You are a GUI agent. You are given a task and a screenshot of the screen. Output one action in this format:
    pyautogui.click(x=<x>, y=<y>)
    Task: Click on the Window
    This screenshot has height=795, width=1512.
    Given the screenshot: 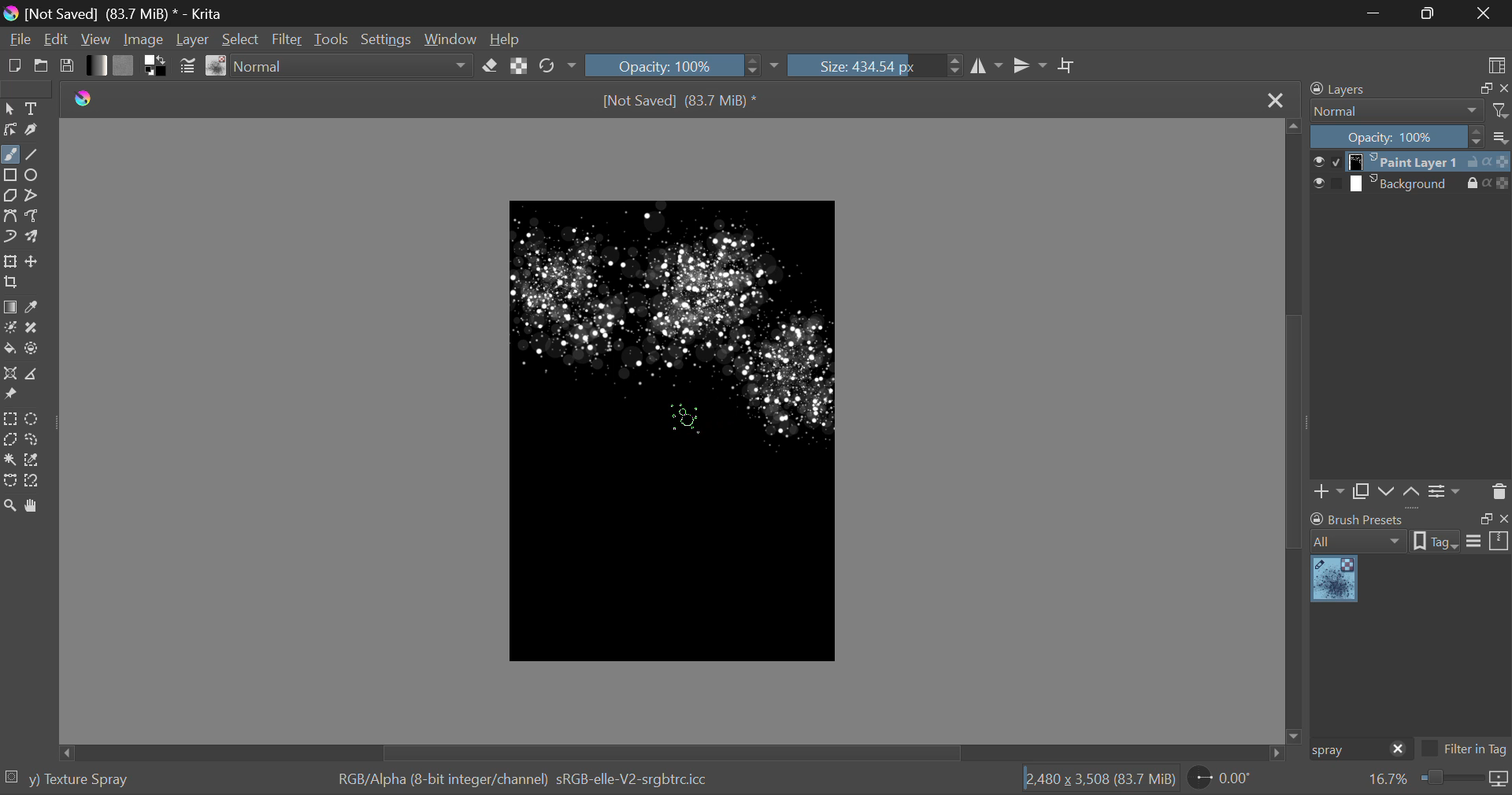 What is the action you would take?
    pyautogui.click(x=453, y=38)
    